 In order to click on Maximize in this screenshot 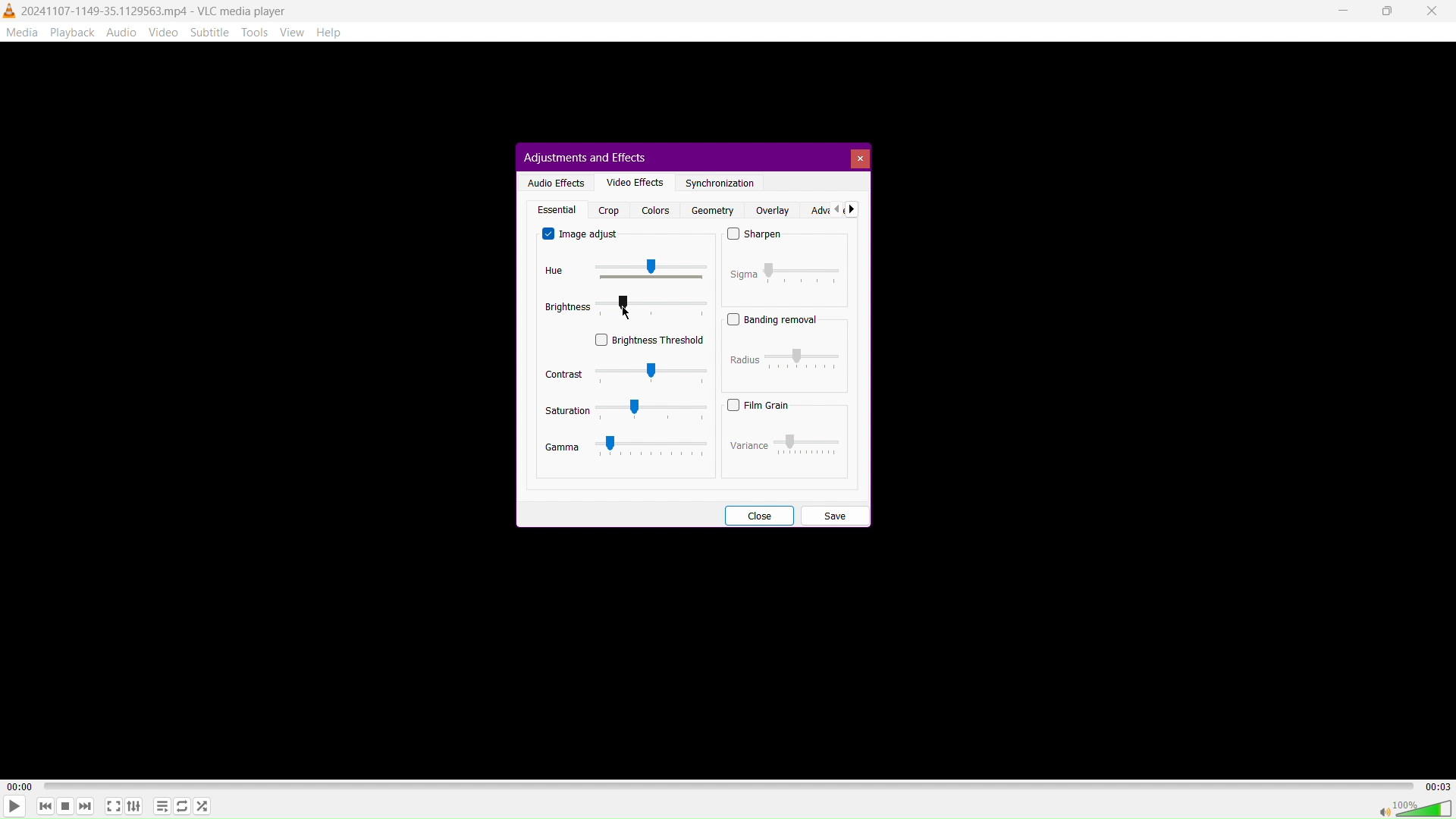, I will do `click(1387, 11)`.